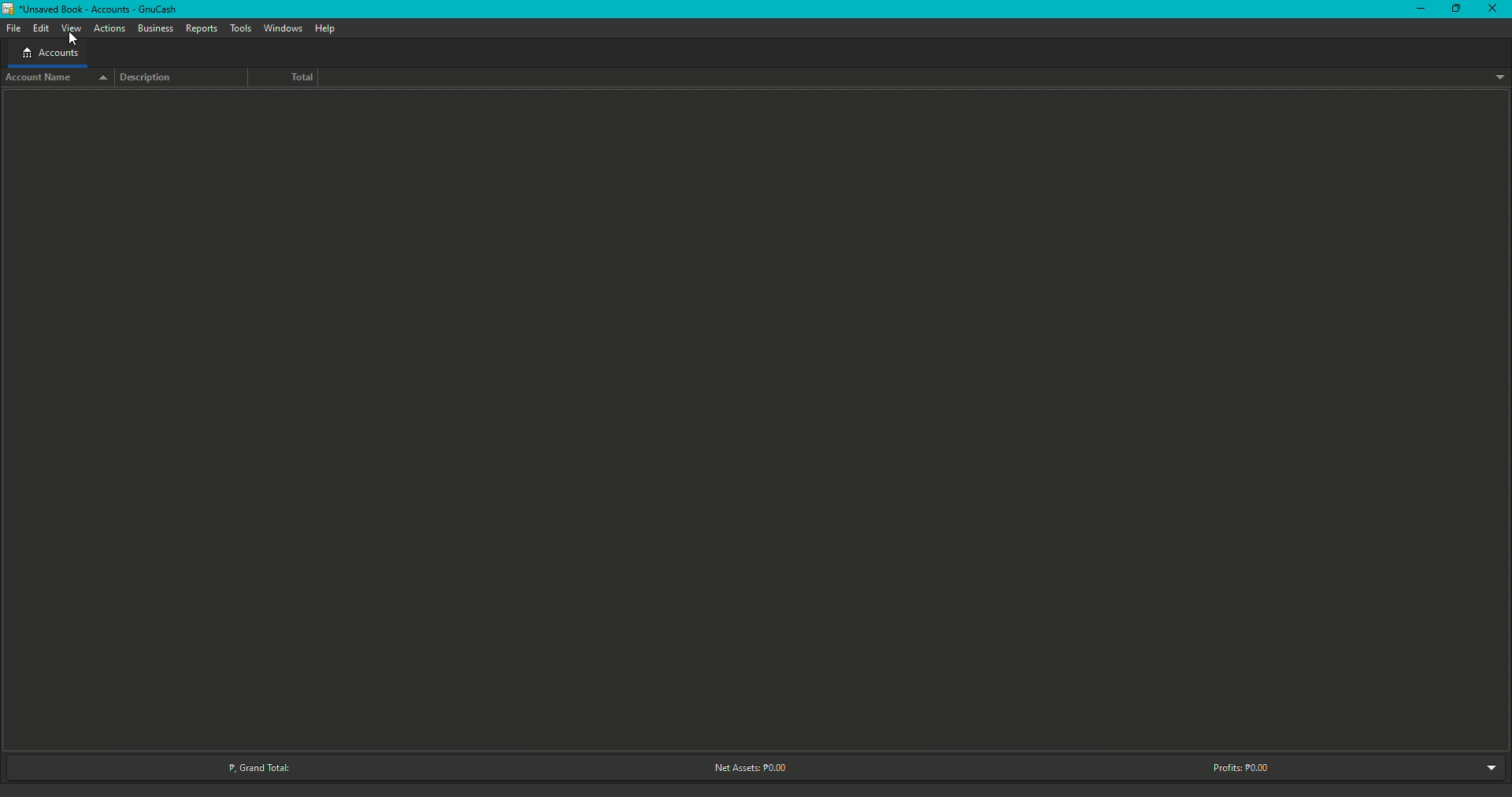  I want to click on Help, so click(328, 29).